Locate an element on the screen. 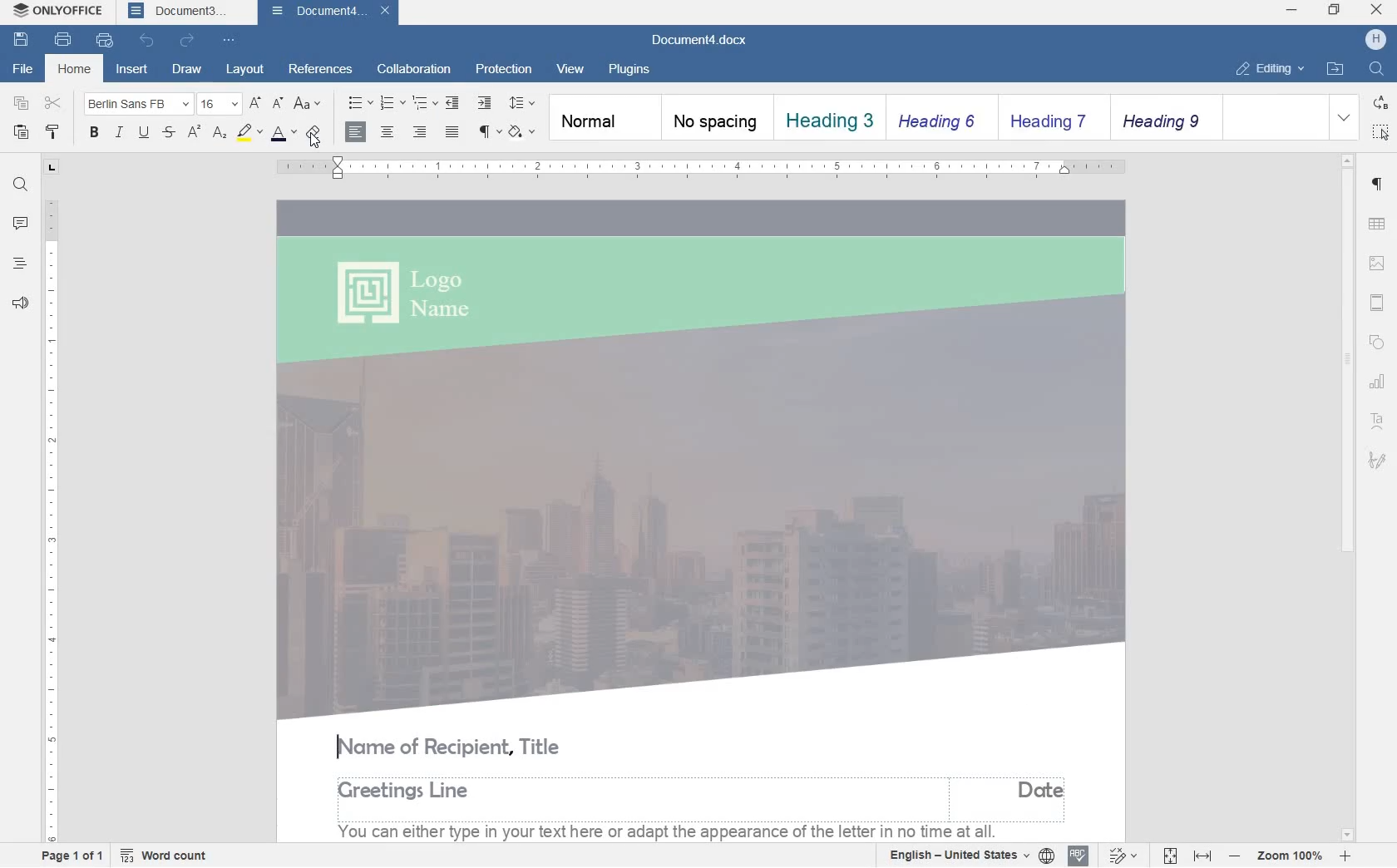 The width and height of the screenshot is (1397, 868). page 1 of 1 is located at coordinates (72, 858).